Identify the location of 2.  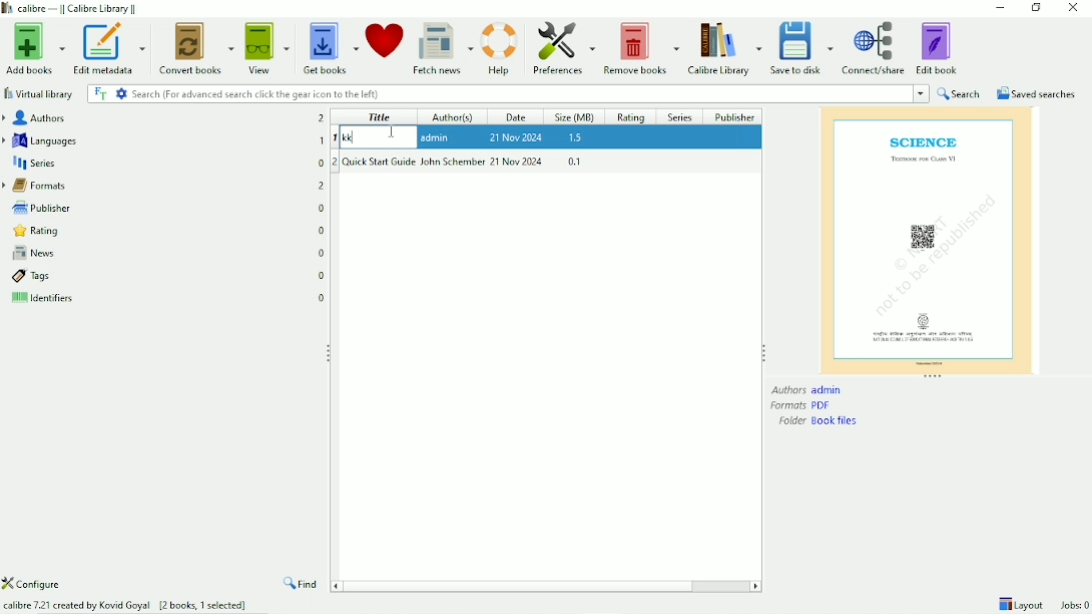
(335, 162).